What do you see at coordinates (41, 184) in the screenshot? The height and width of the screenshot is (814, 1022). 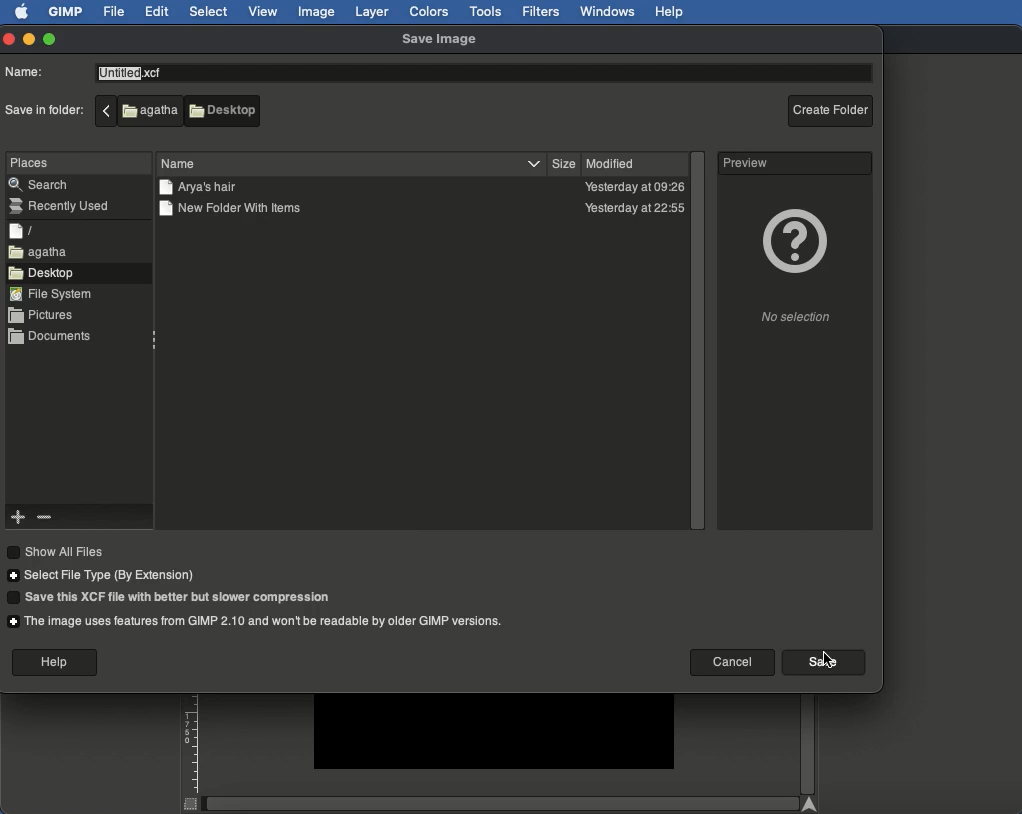 I see `Search` at bounding box center [41, 184].